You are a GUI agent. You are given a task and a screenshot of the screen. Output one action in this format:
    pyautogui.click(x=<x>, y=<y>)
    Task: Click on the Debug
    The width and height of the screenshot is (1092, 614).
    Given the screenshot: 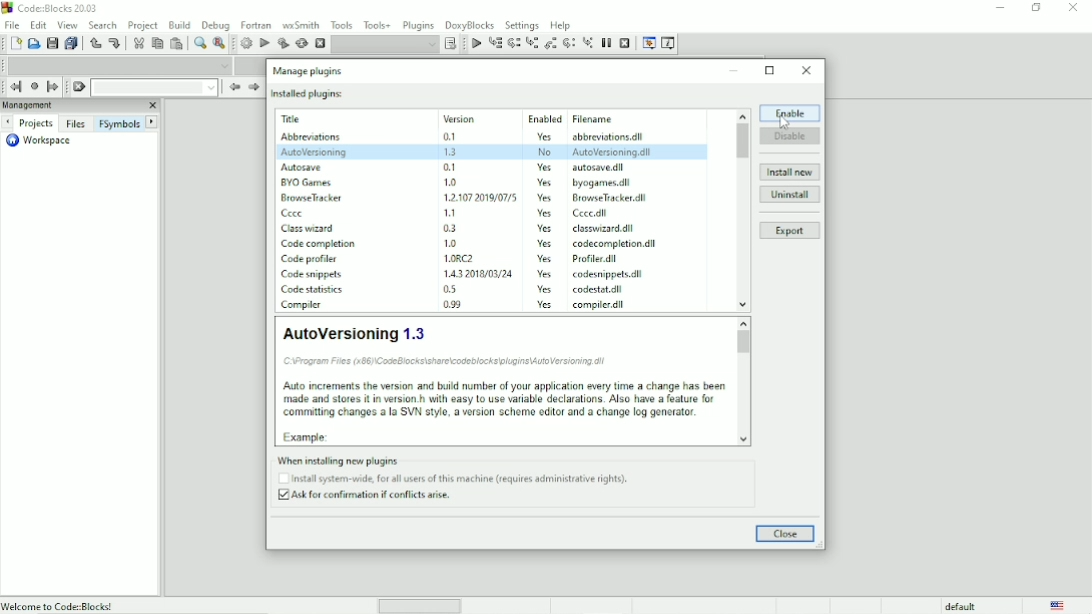 What is the action you would take?
    pyautogui.click(x=215, y=26)
    